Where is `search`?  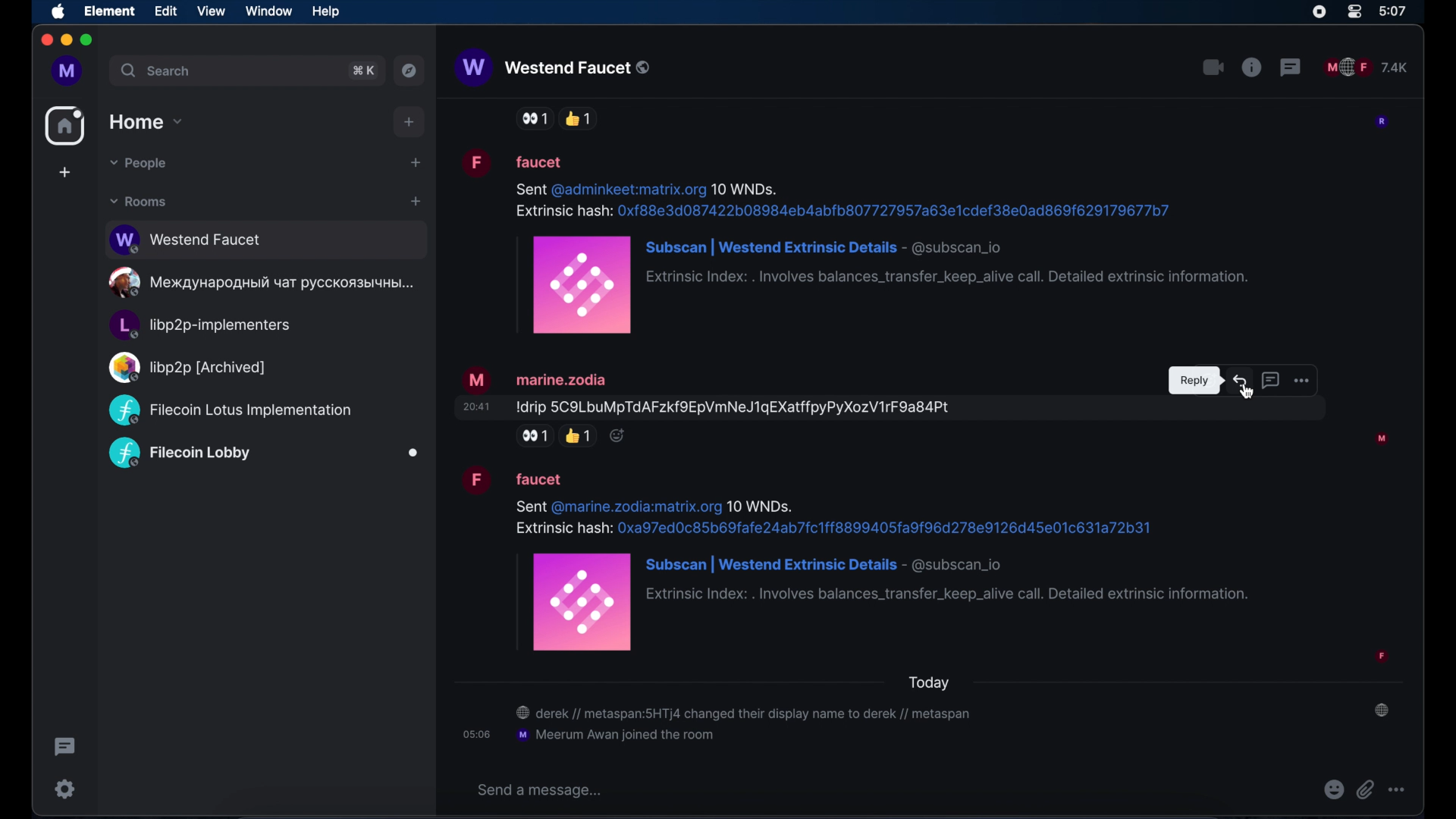
search is located at coordinates (155, 71).